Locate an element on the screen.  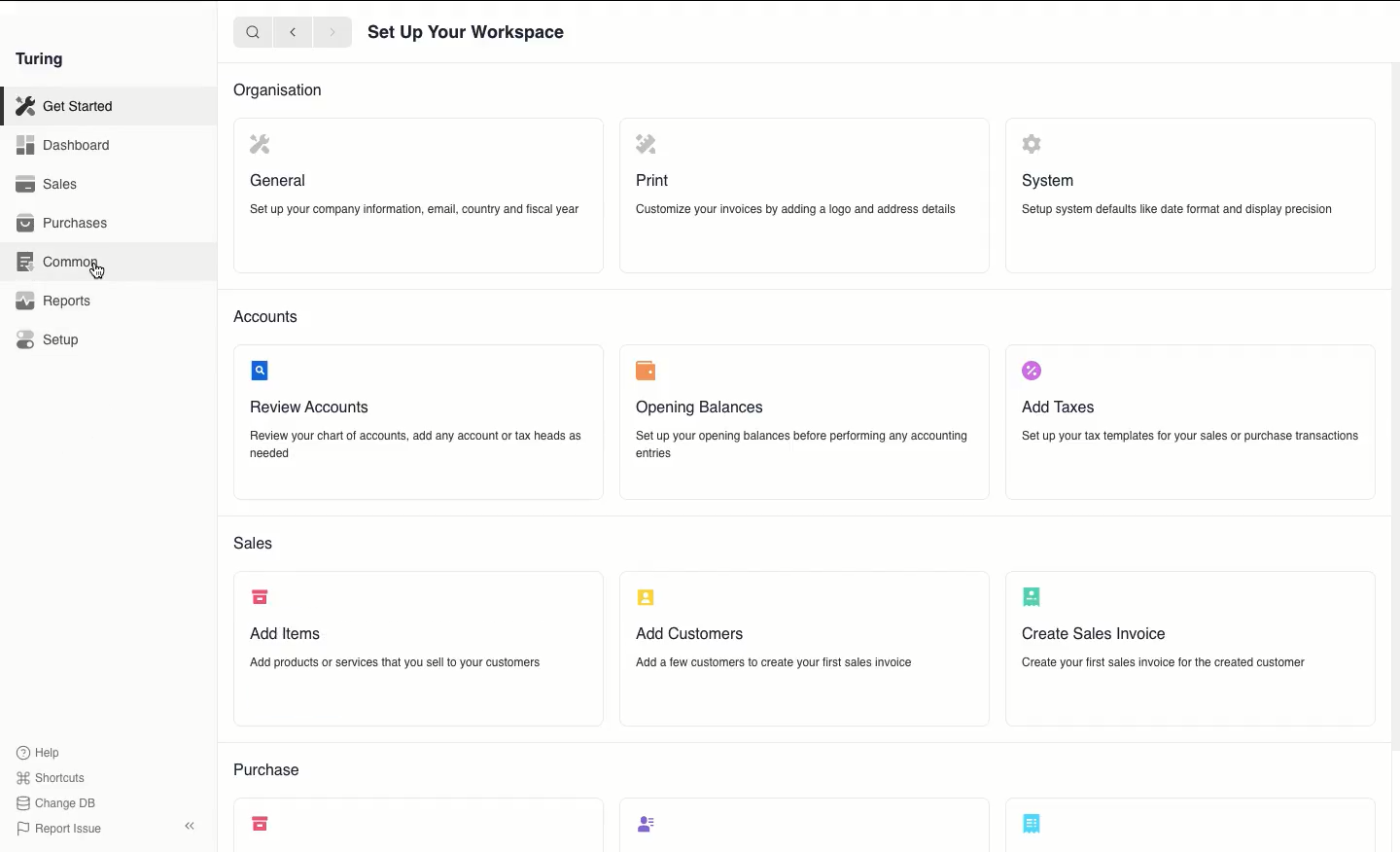
Create Sales Invoice is located at coordinates (1096, 615).